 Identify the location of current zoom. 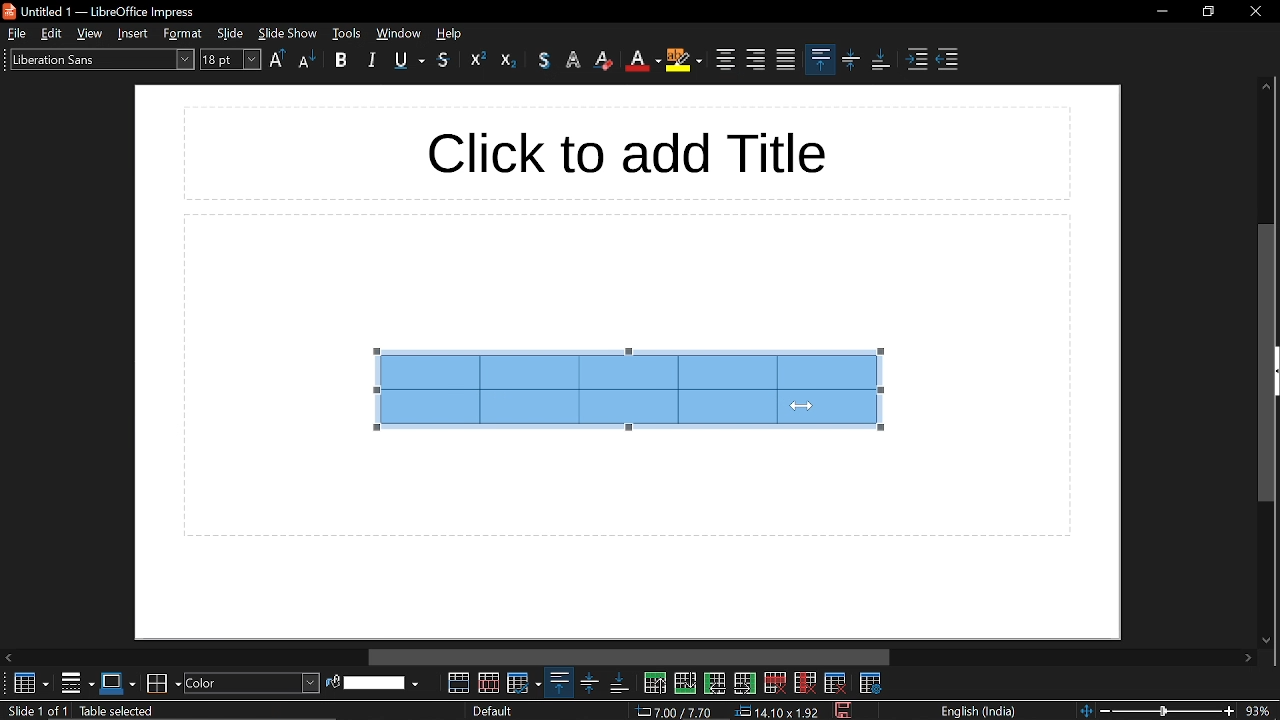
(1263, 710).